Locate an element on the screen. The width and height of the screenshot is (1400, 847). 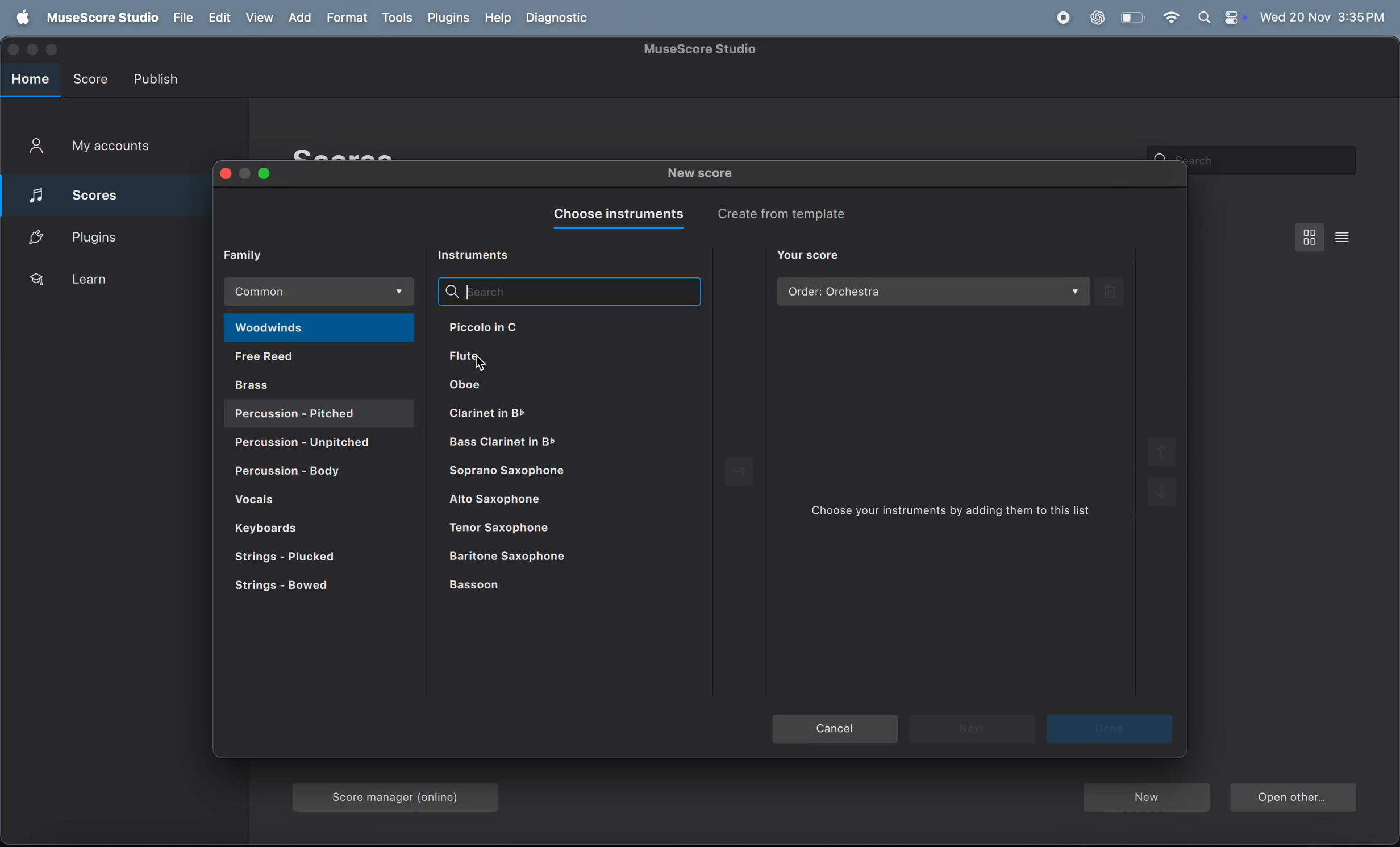
percussion pitched is located at coordinates (305, 444).